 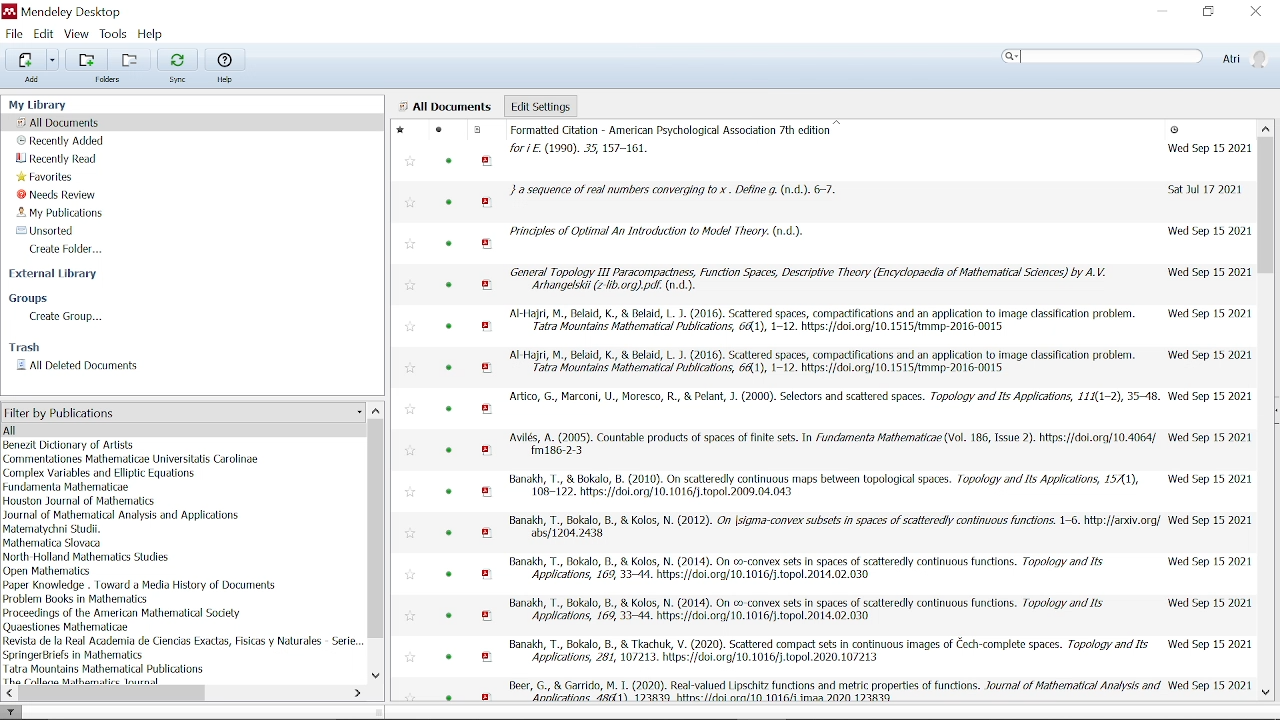 I want to click on author, so click(x=122, y=613).